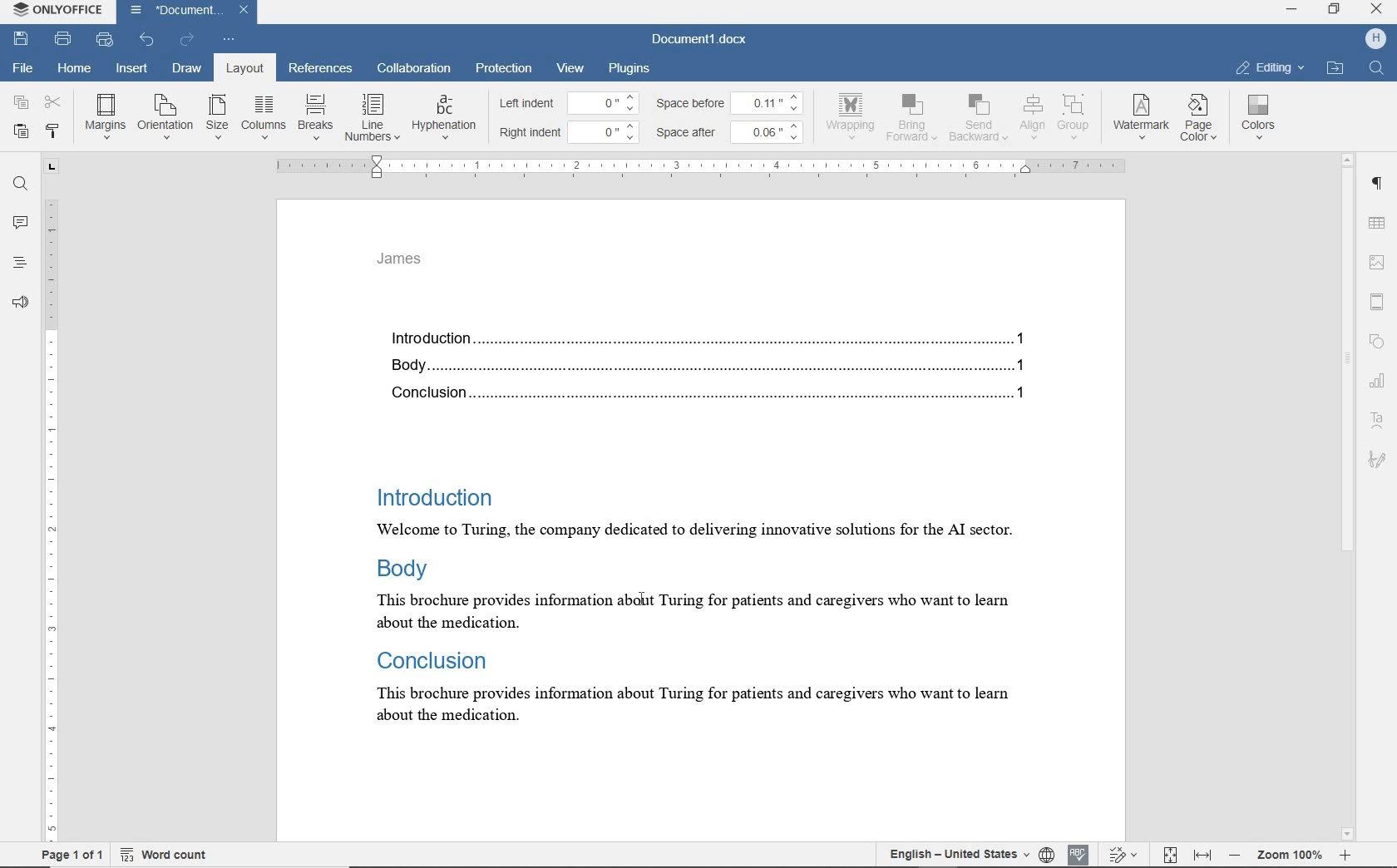 The height and width of the screenshot is (868, 1397). Describe the element at coordinates (1380, 384) in the screenshot. I see `chart` at that location.